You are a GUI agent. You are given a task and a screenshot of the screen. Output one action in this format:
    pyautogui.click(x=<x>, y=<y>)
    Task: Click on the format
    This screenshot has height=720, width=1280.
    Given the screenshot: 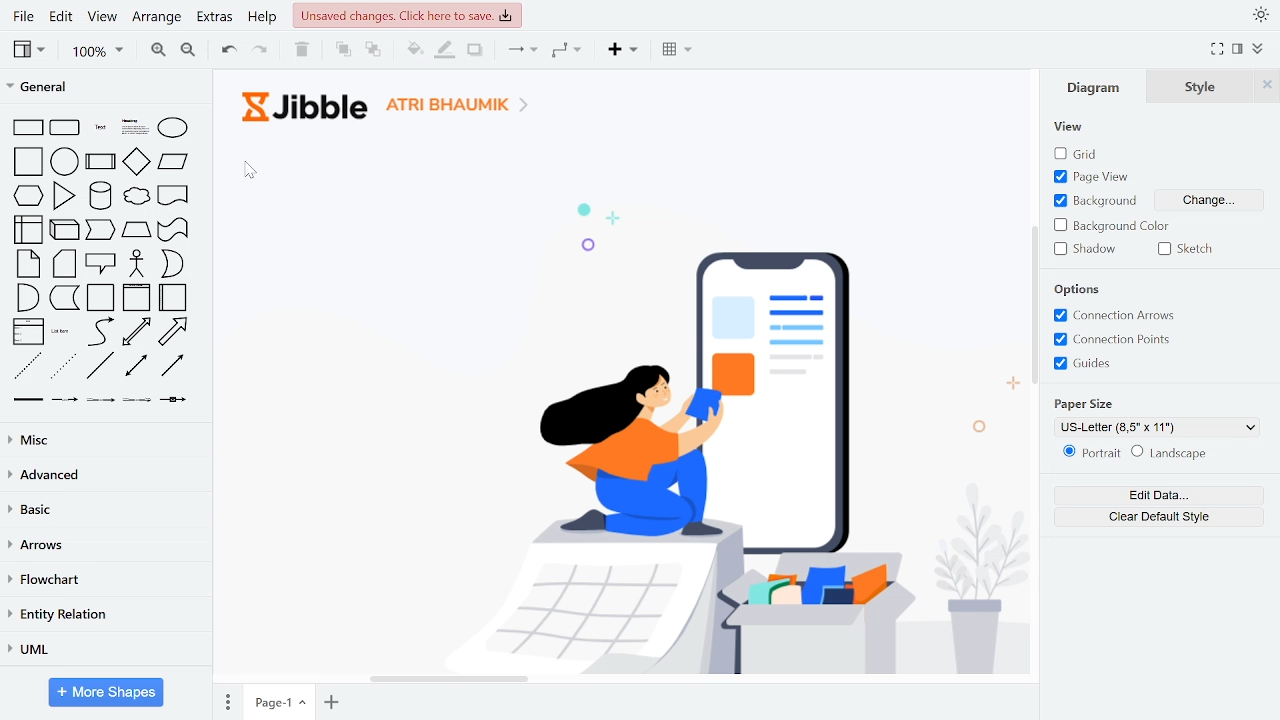 What is the action you would take?
    pyautogui.click(x=1237, y=50)
    